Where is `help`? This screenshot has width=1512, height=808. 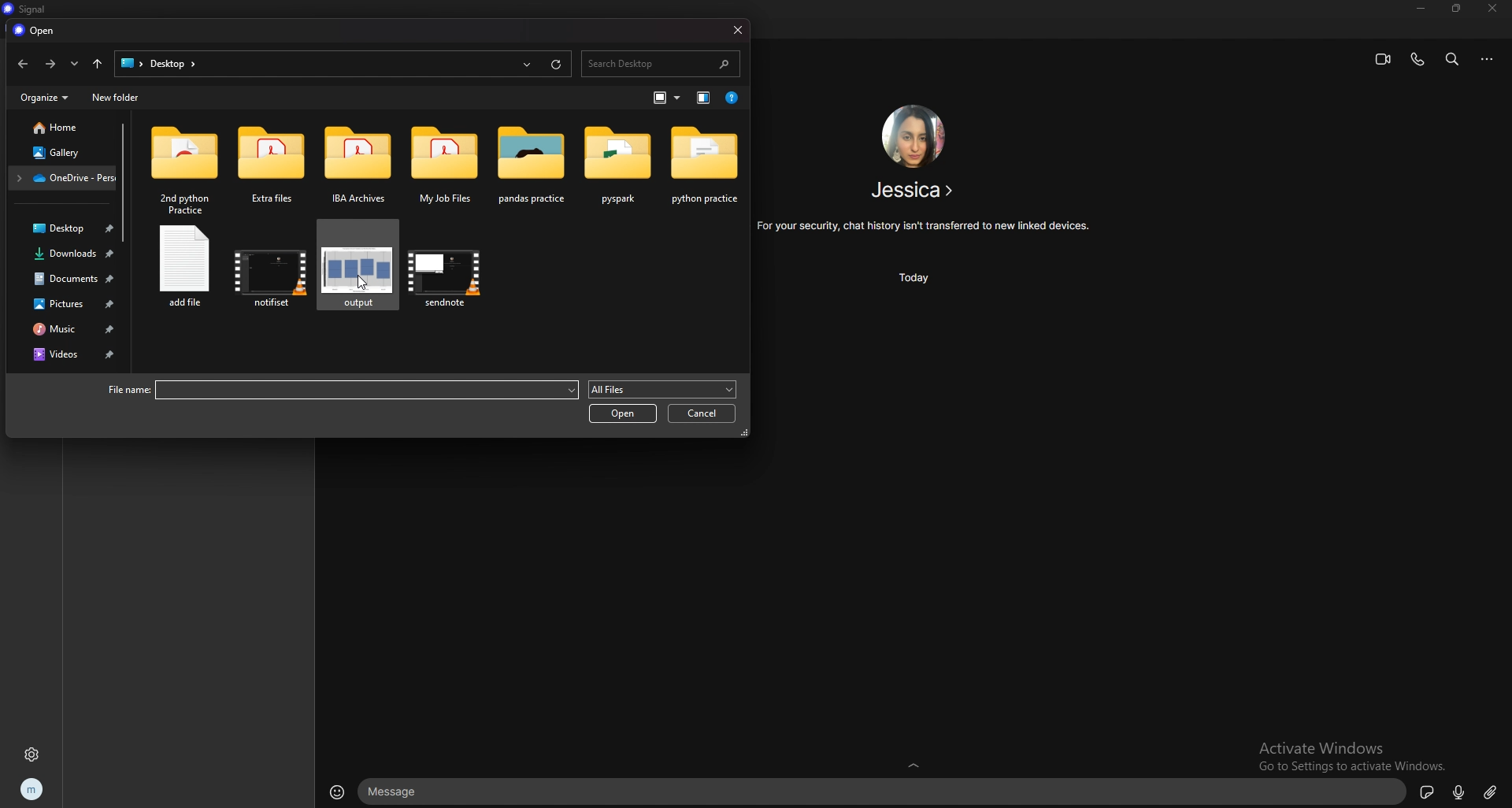 help is located at coordinates (732, 98).